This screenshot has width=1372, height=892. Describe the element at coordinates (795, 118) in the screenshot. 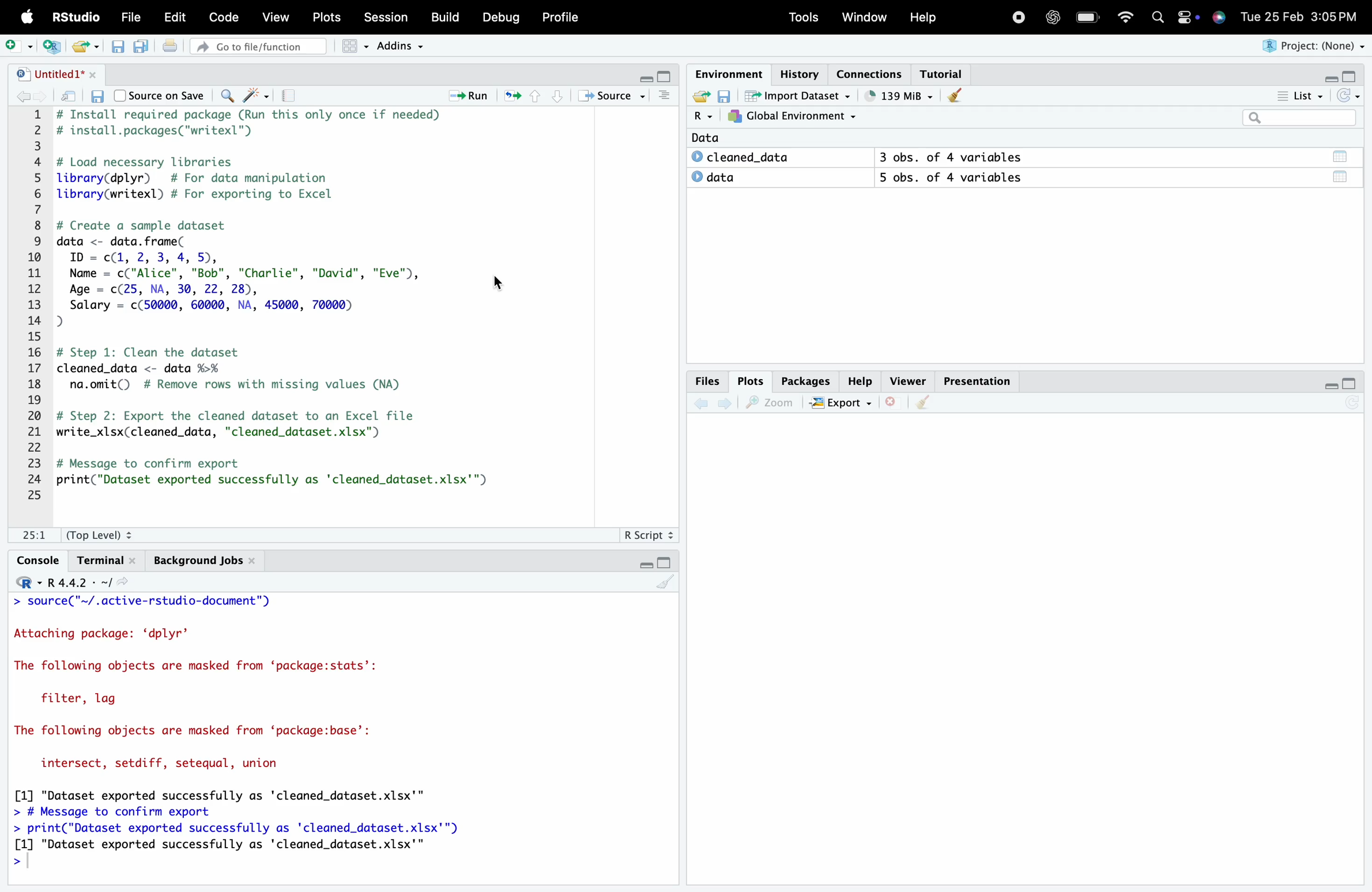

I see `Global Environment` at that location.